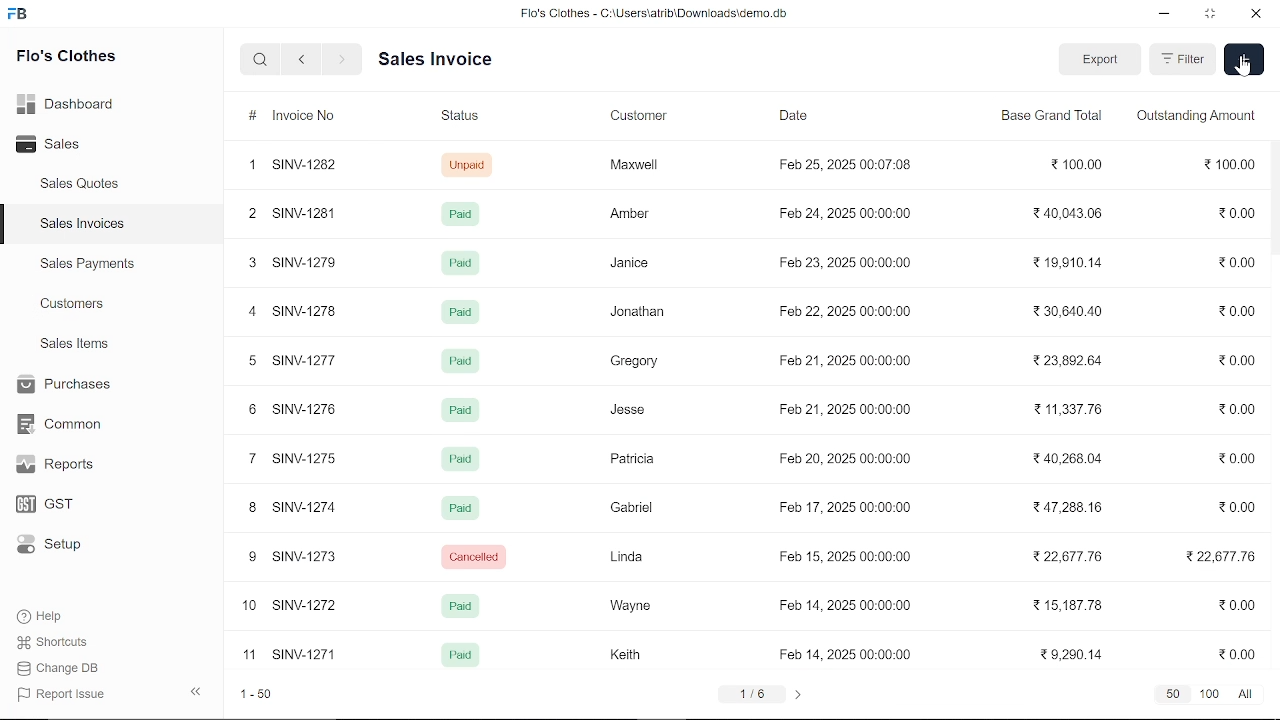 This screenshot has height=720, width=1280. What do you see at coordinates (1212, 15) in the screenshot?
I see `restore down` at bounding box center [1212, 15].